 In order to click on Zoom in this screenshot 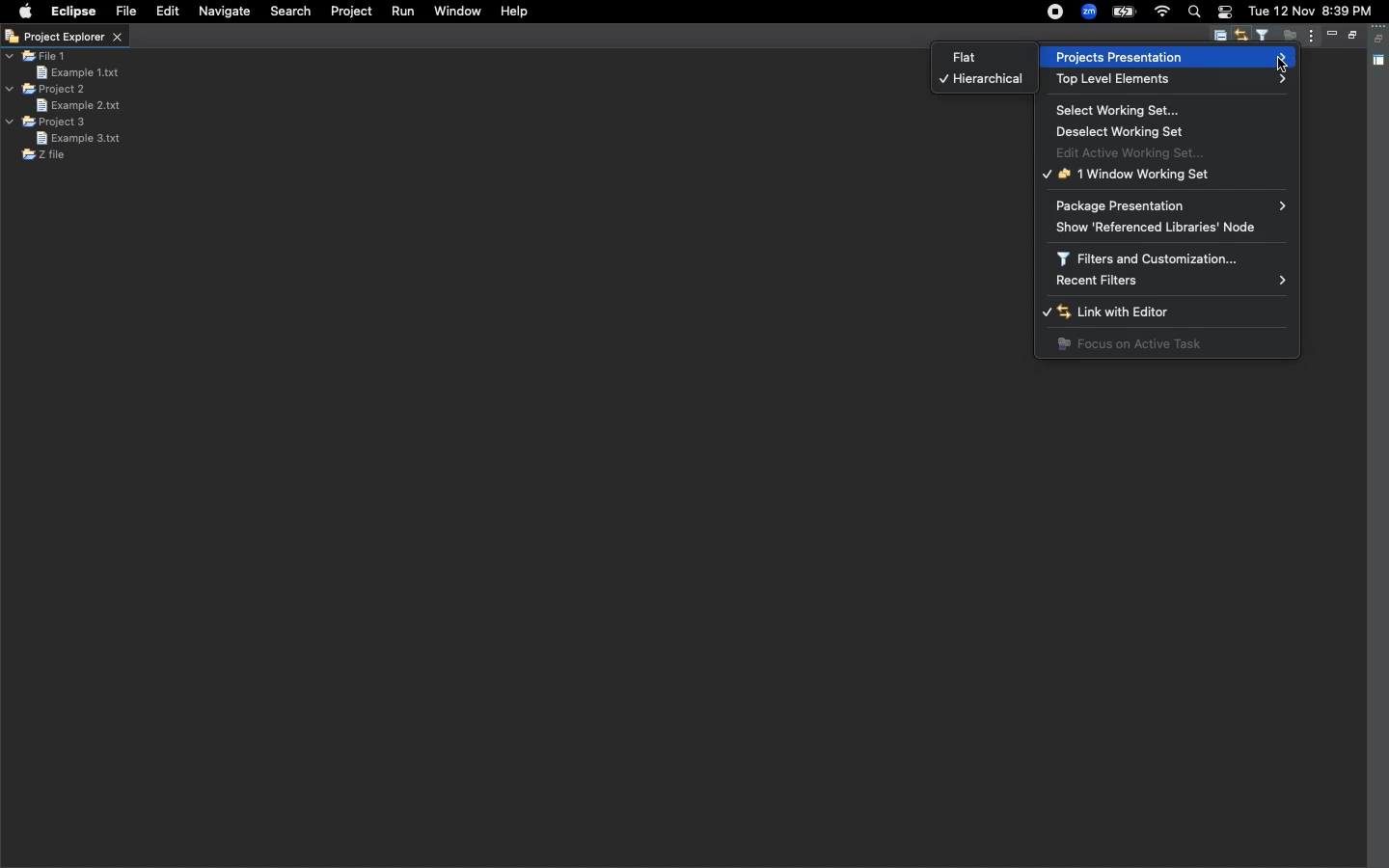, I will do `click(1088, 12)`.